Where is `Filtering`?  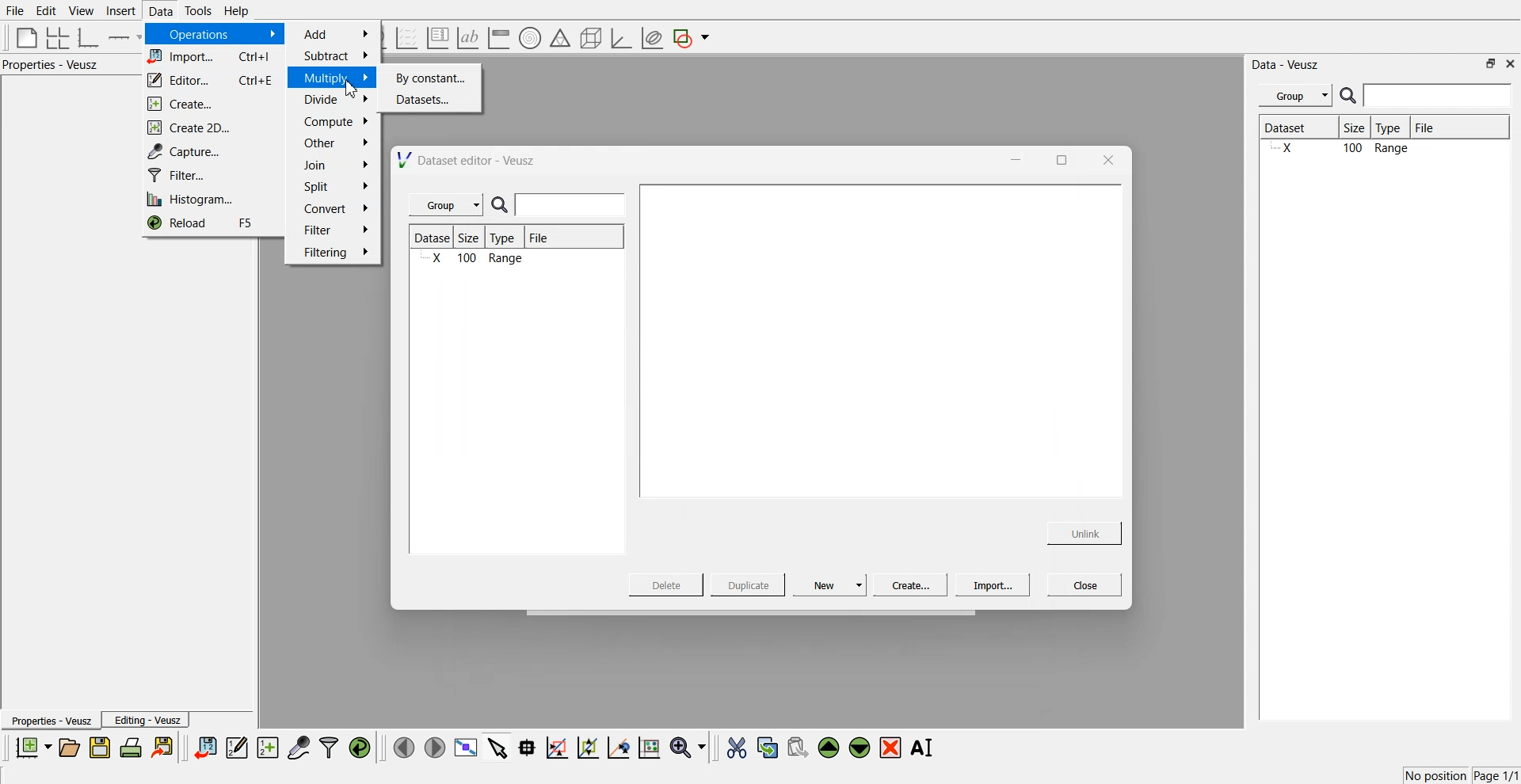 Filtering is located at coordinates (334, 252).